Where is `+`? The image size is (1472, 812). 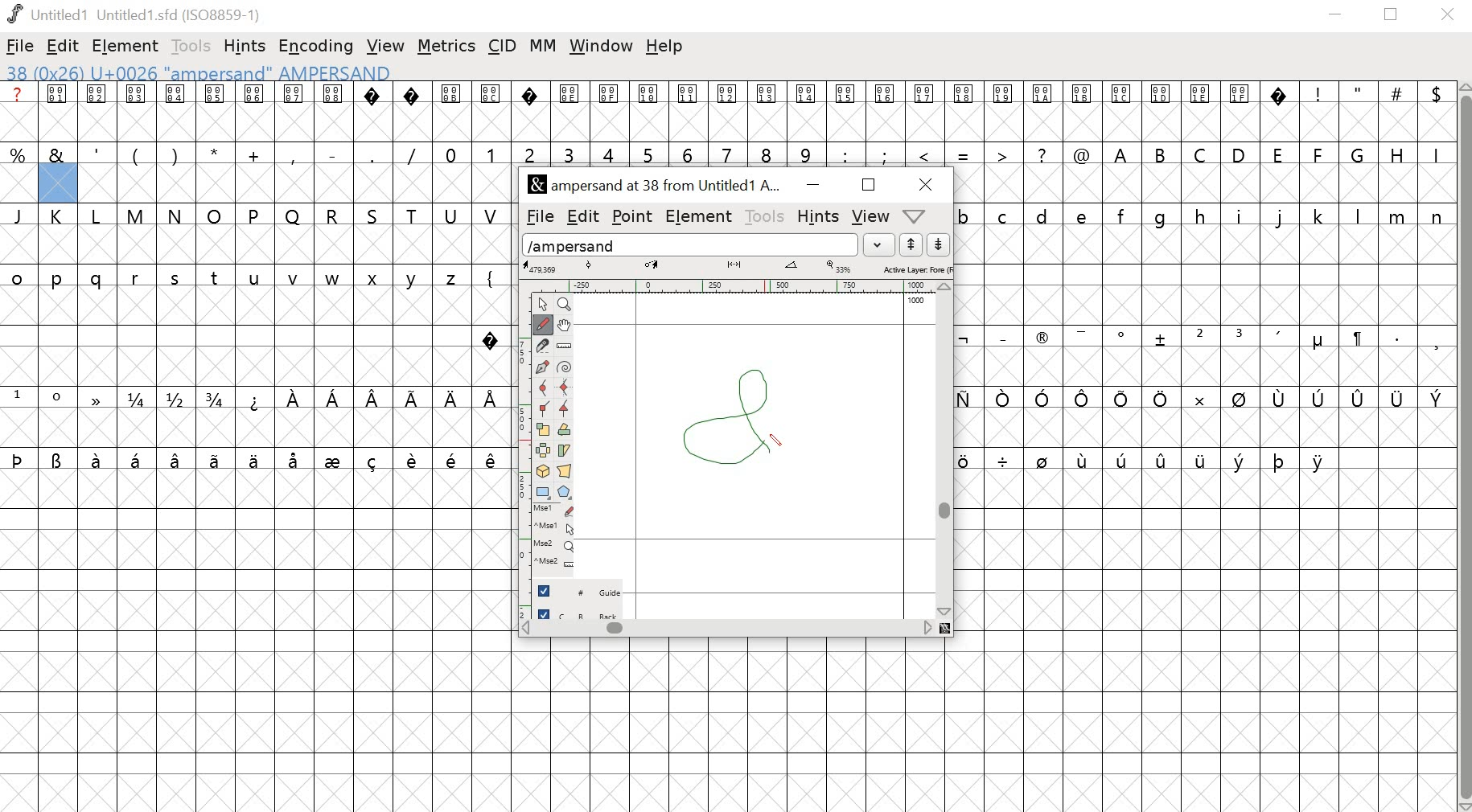
+ is located at coordinates (256, 154).